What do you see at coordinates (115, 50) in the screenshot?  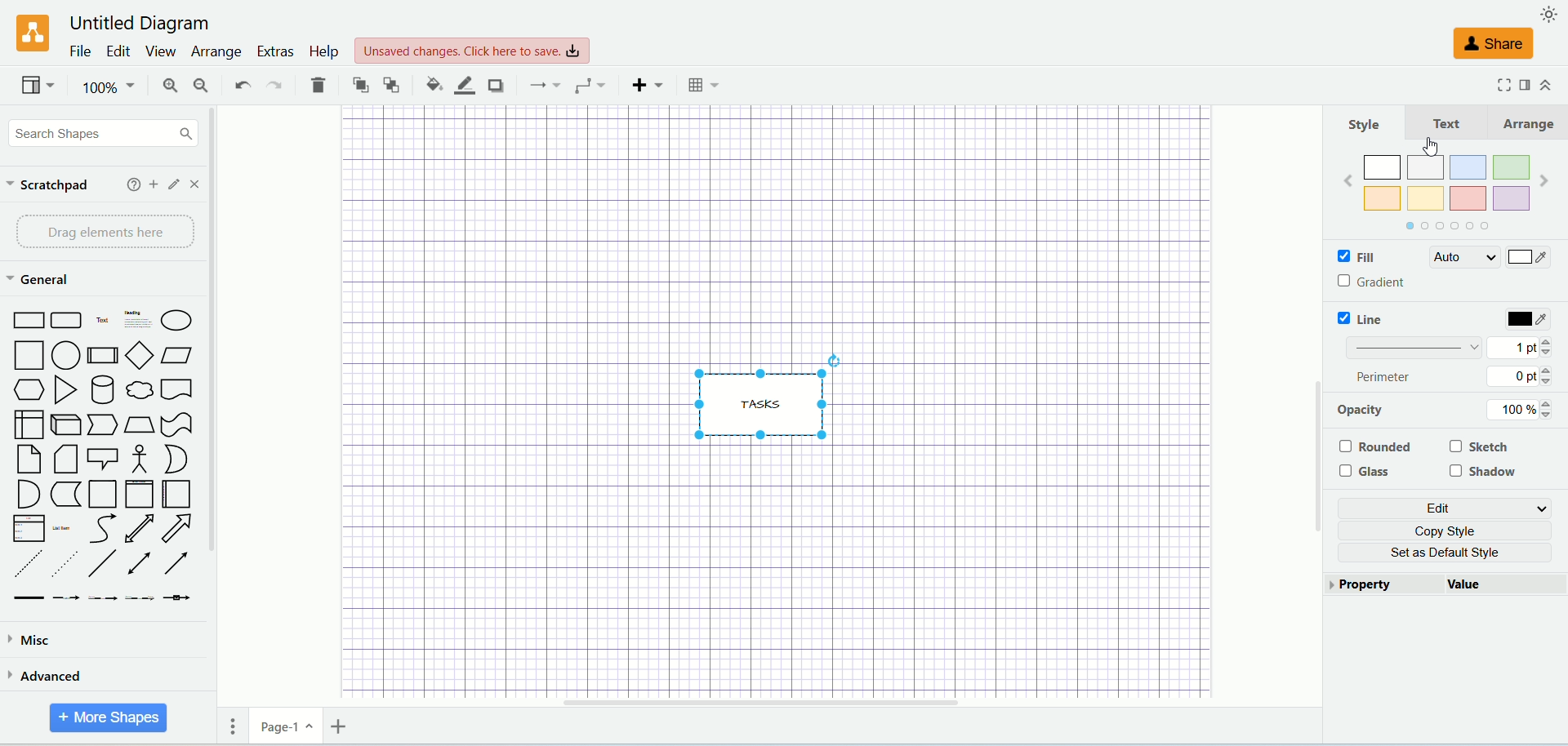 I see `edit` at bounding box center [115, 50].